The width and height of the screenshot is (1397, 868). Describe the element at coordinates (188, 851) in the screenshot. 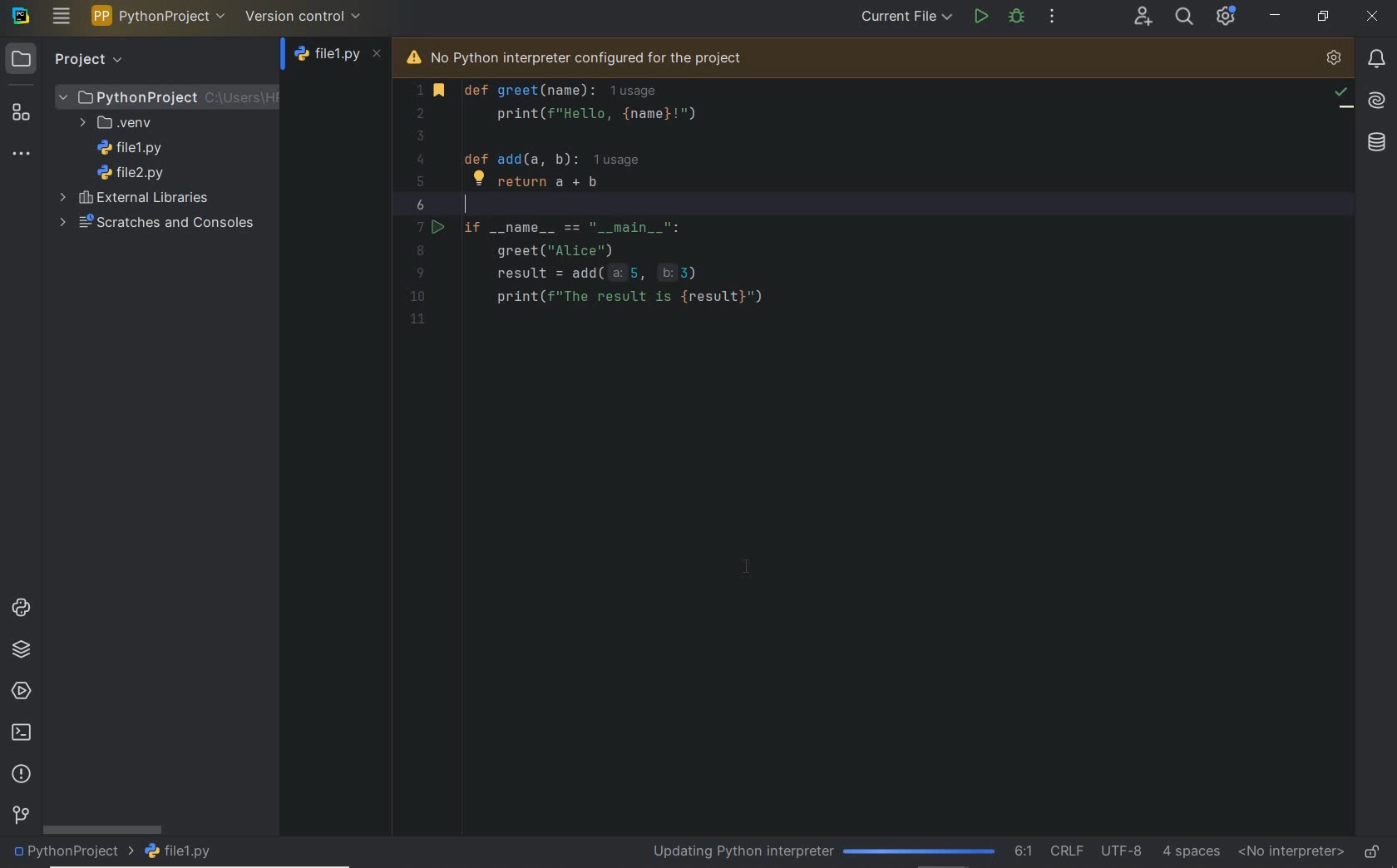

I see `file name` at that location.